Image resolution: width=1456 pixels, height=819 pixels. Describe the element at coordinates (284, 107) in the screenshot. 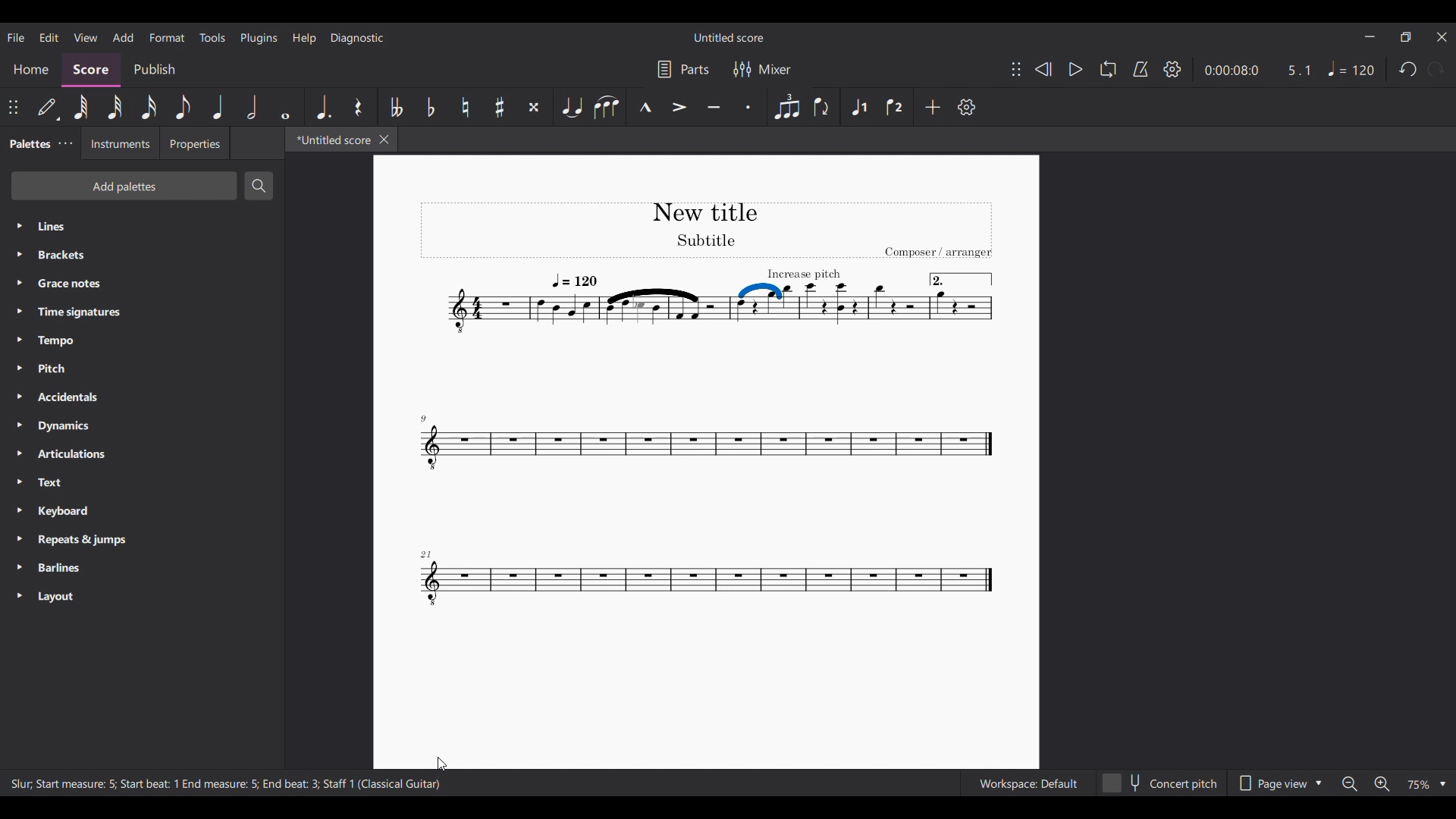

I see `Whole note` at that location.